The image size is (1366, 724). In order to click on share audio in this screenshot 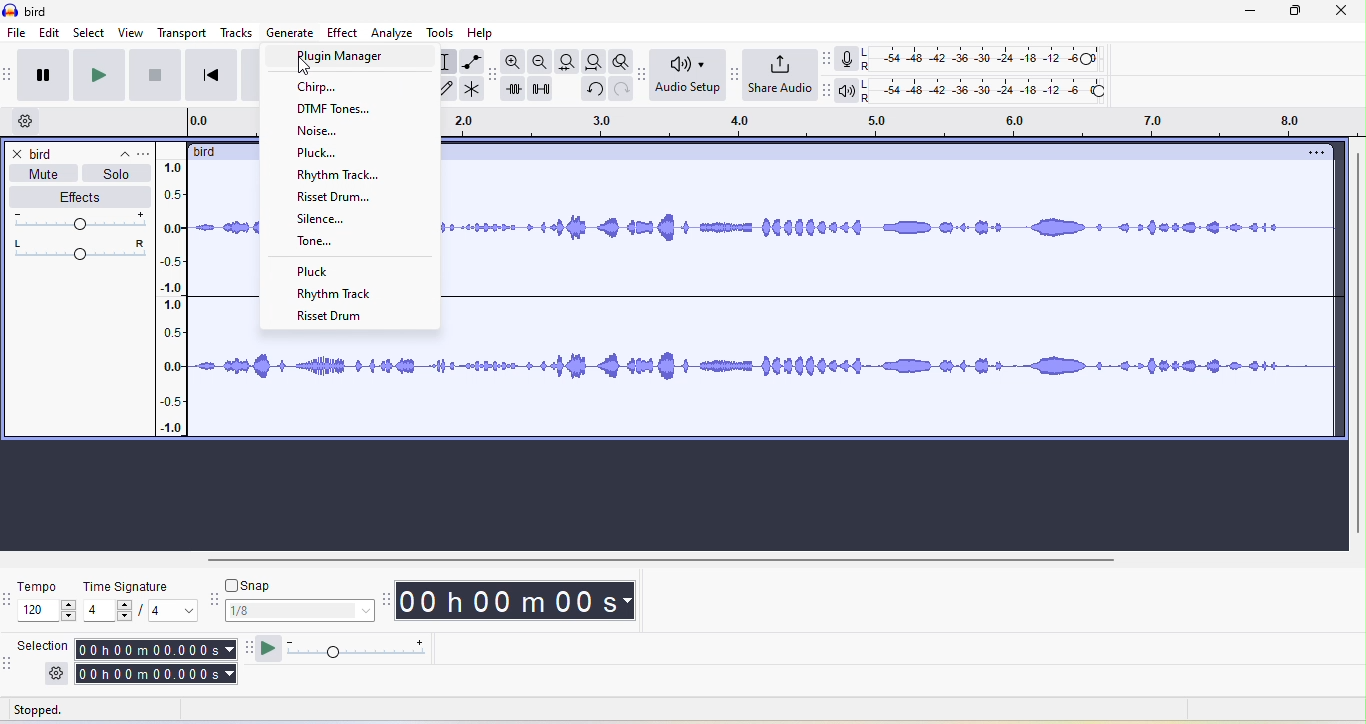, I will do `click(779, 75)`.